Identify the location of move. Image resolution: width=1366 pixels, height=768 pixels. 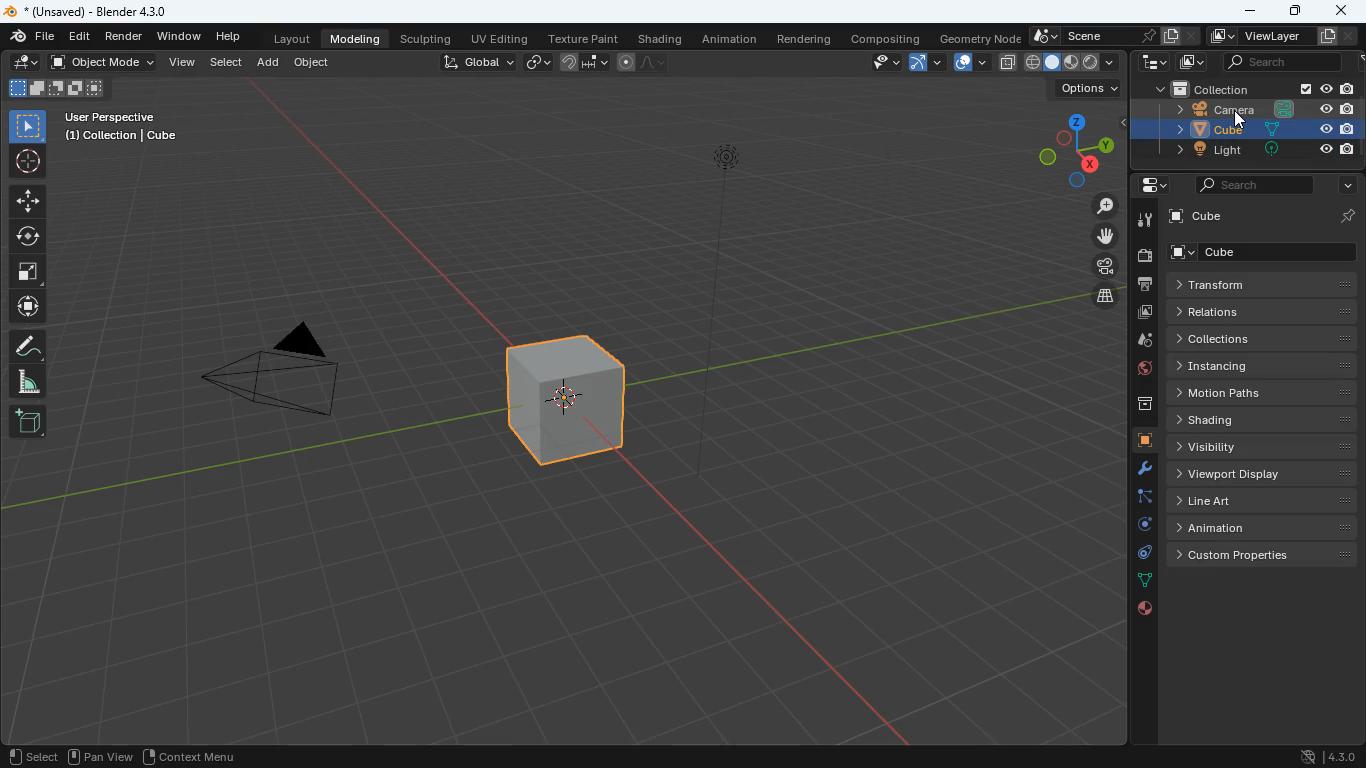
(1094, 236).